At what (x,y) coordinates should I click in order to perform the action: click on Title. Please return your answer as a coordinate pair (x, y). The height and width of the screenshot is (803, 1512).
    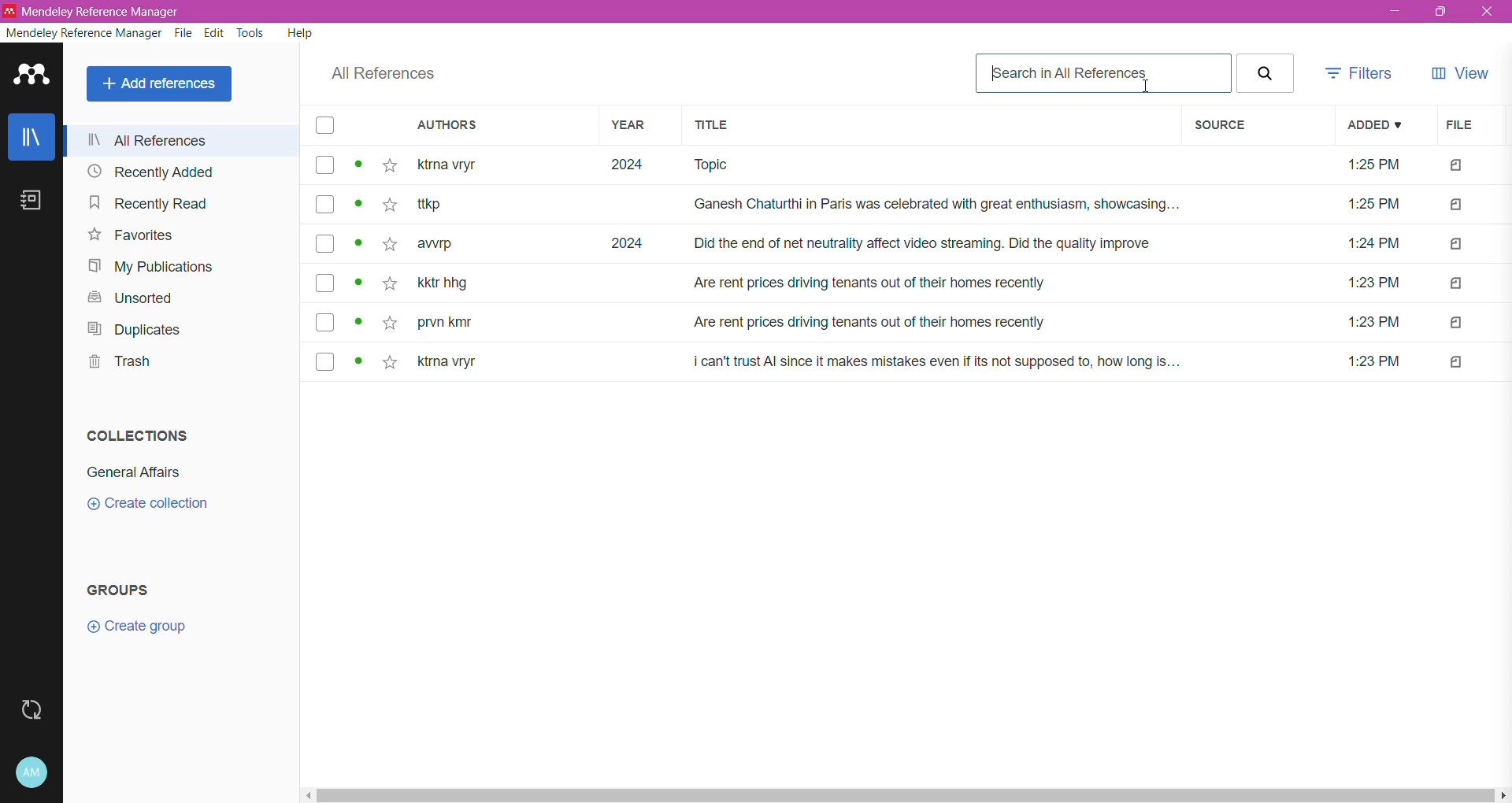
    Looking at the image, I should click on (930, 127).